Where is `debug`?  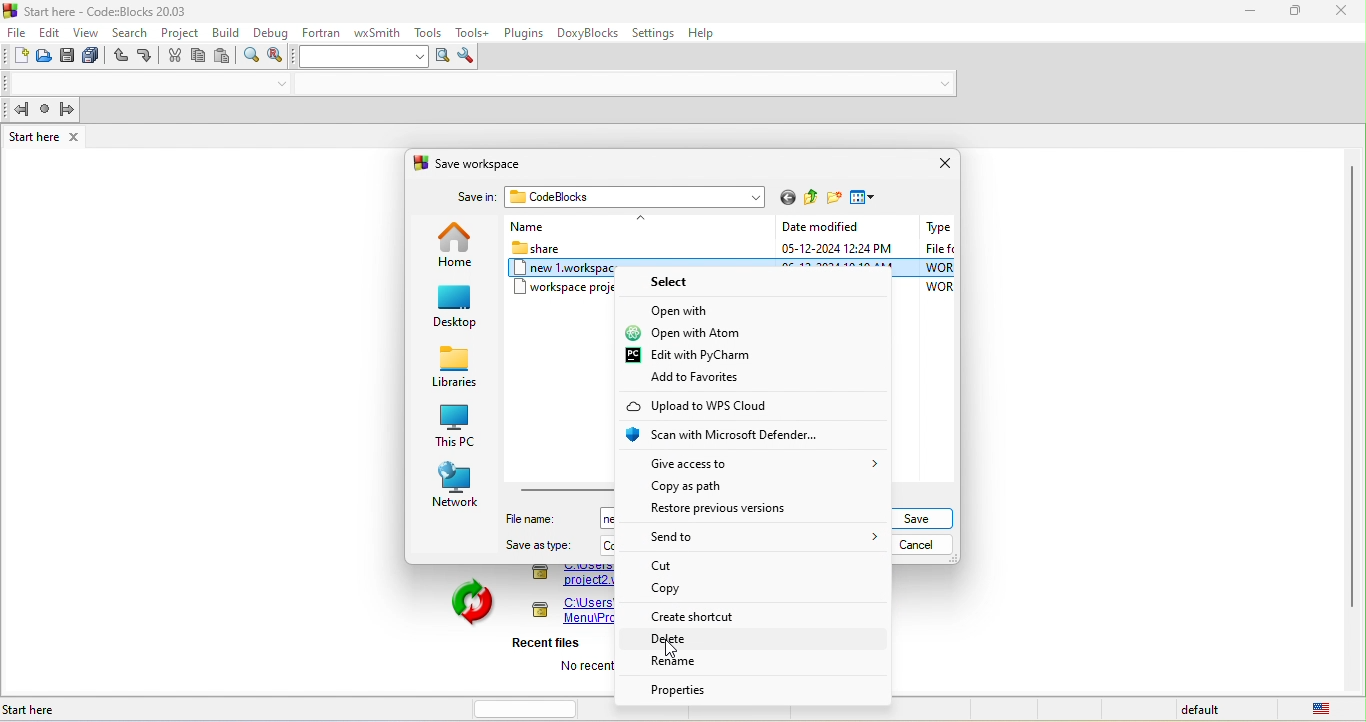 debug is located at coordinates (270, 31).